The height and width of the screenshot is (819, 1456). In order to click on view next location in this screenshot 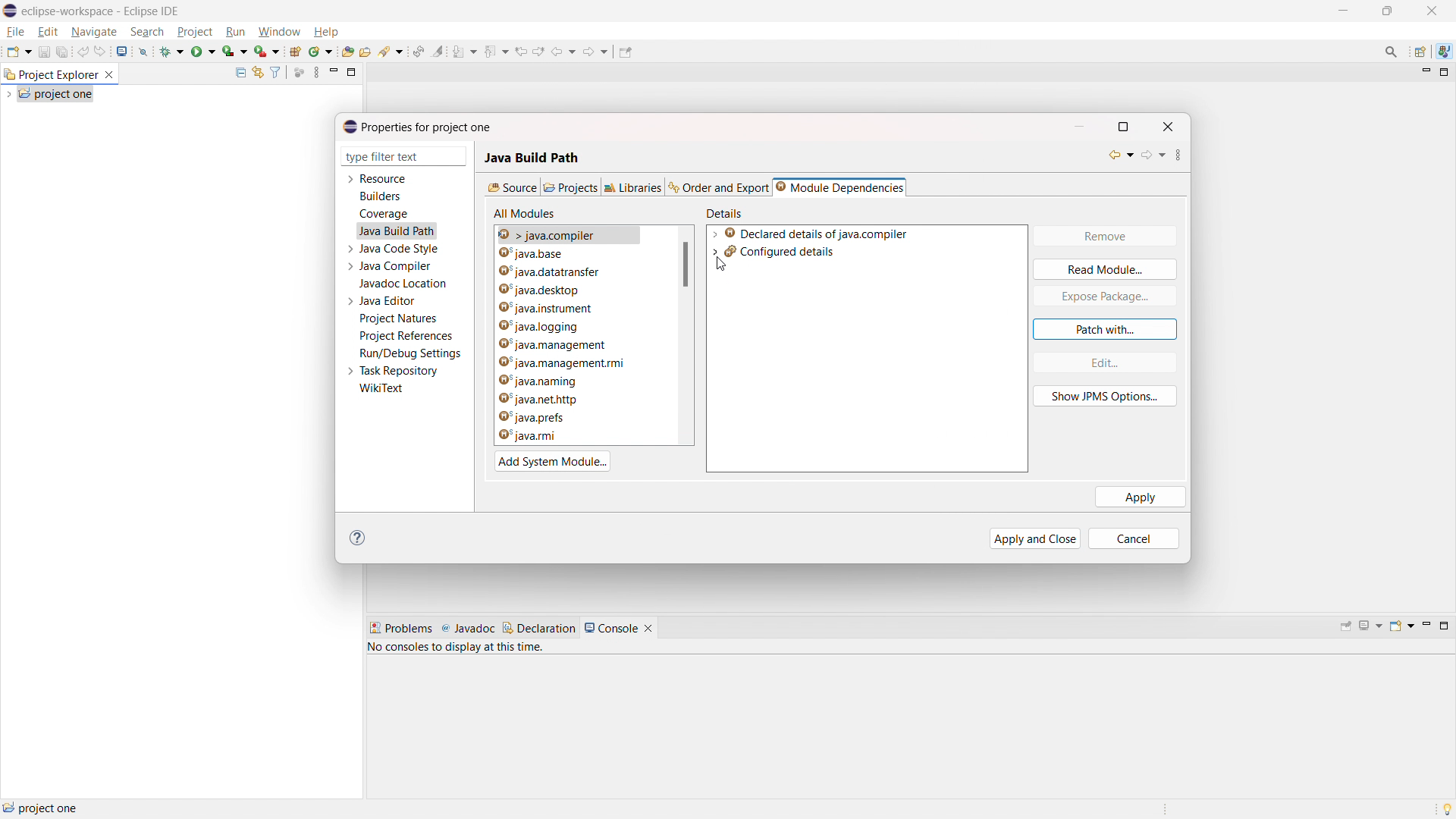, I will do `click(538, 49)`.